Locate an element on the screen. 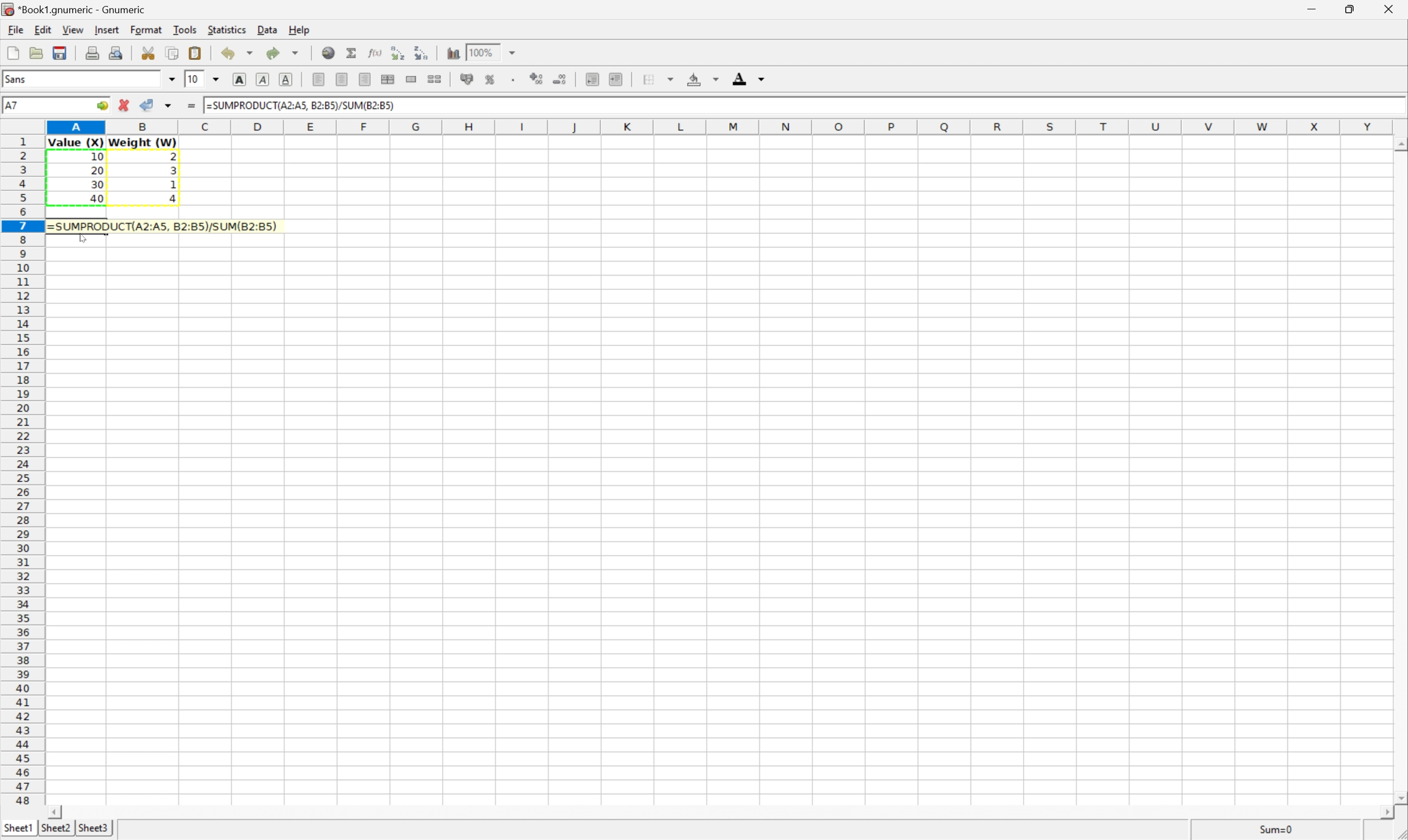 The image size is (1408, 840). Scroll Right is located at coordinates (1383, 812).